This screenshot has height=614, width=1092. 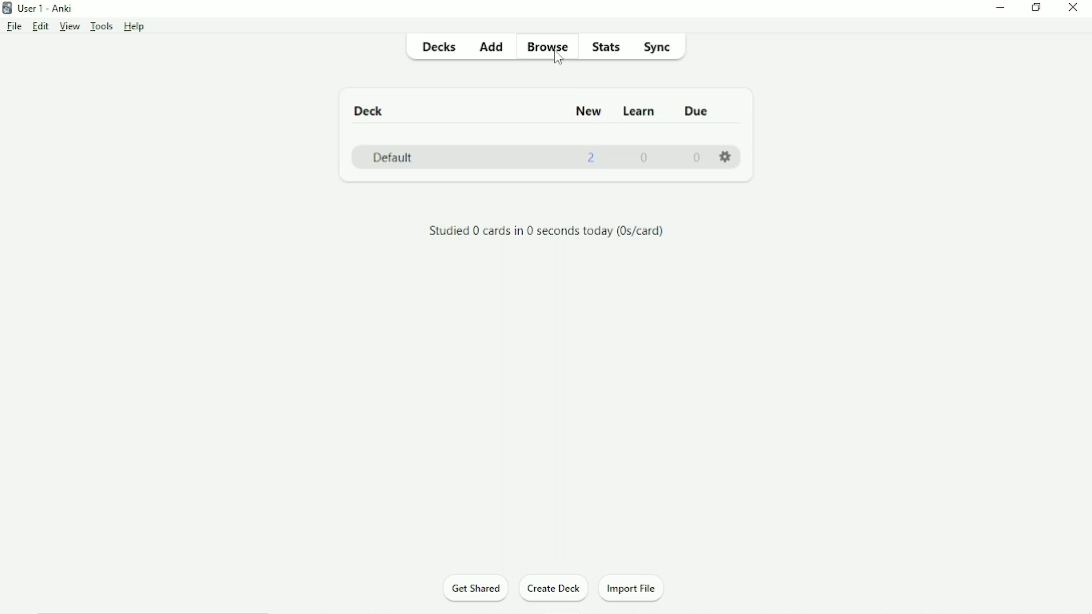 I want to click on Decks, so click(x=437, y=46).